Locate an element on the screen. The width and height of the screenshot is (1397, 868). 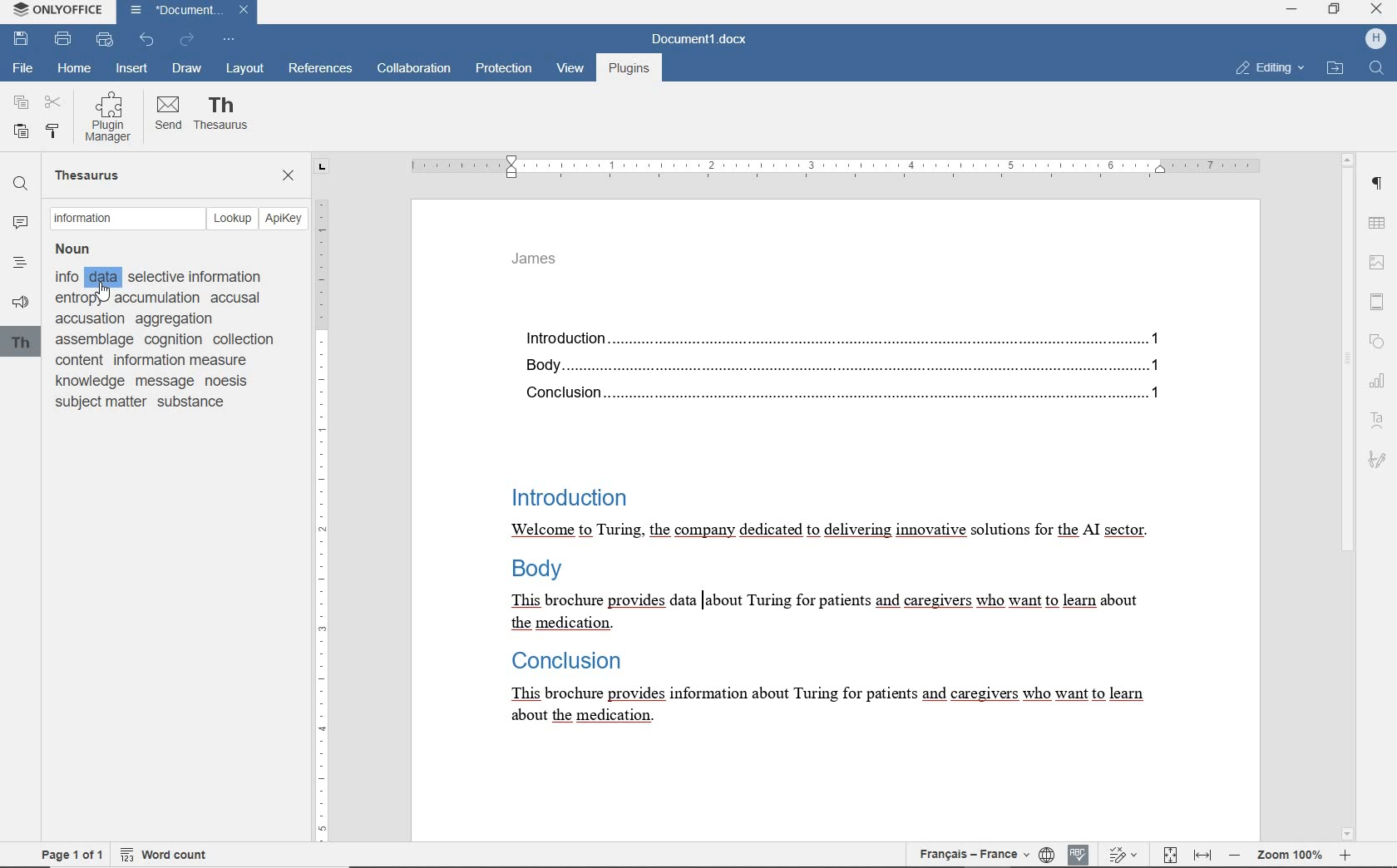
HEADER AND FOOTER is located at coordinates (1377, 301).